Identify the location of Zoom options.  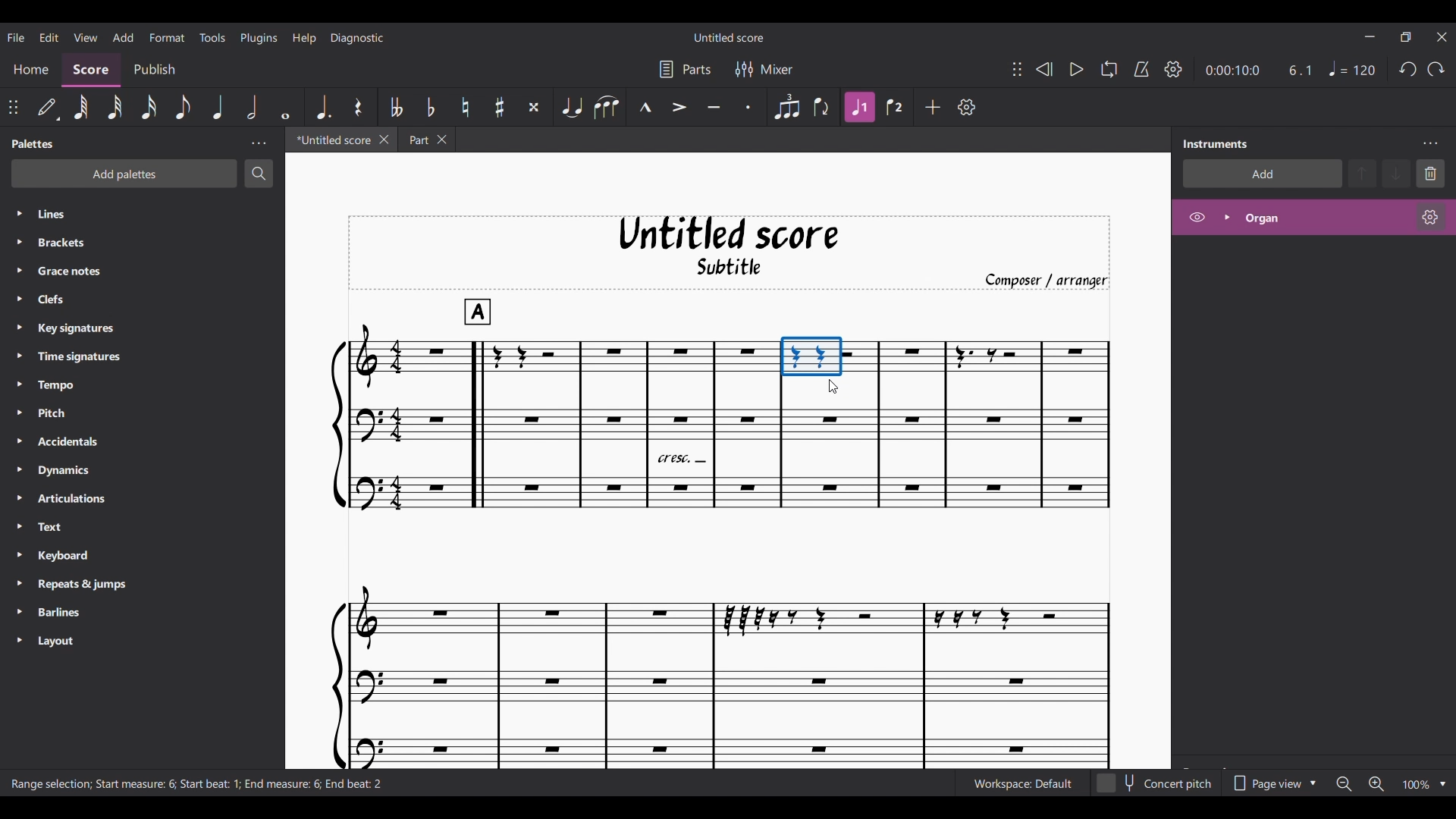
(1443, 784).